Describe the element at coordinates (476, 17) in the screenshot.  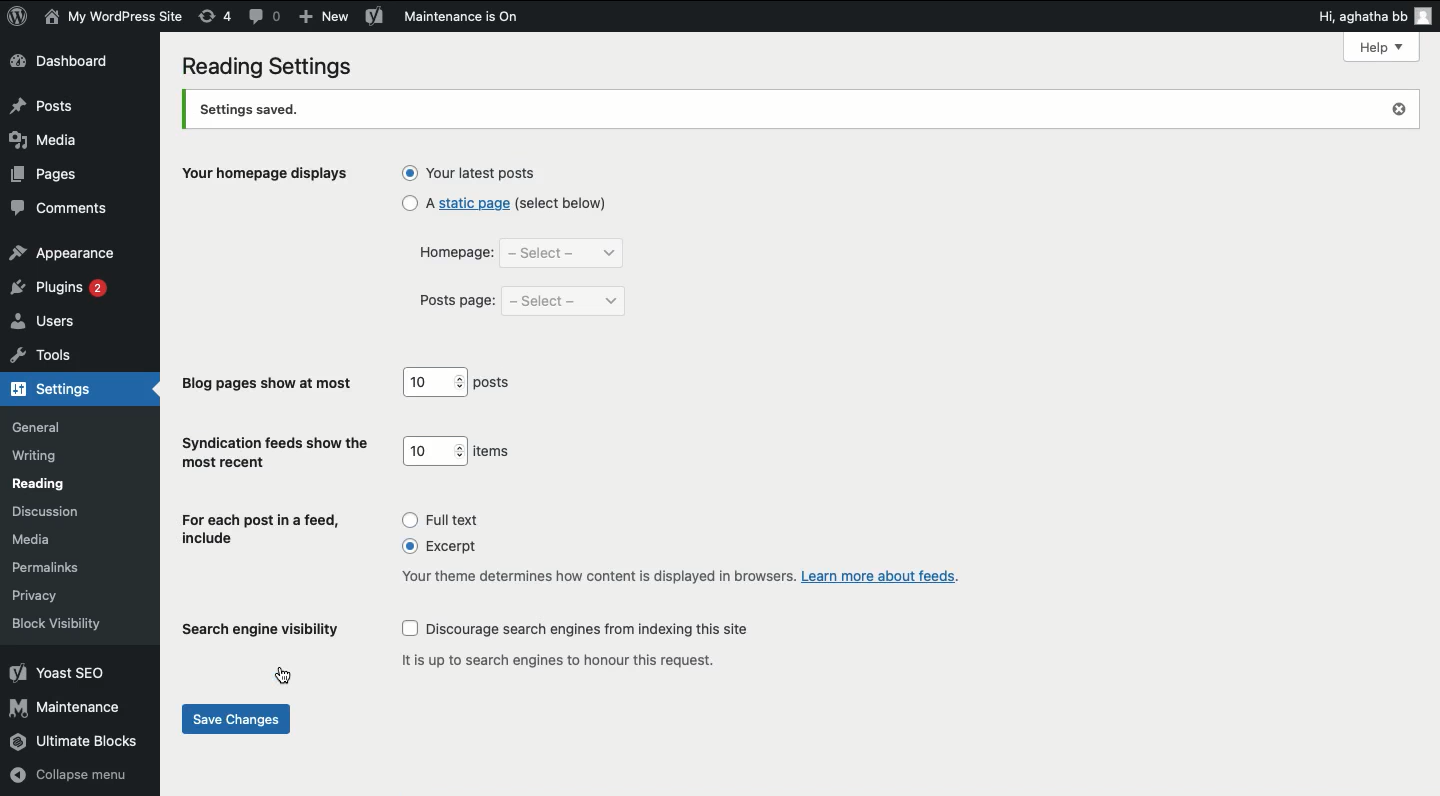
I see `maintenance is on` at that location.